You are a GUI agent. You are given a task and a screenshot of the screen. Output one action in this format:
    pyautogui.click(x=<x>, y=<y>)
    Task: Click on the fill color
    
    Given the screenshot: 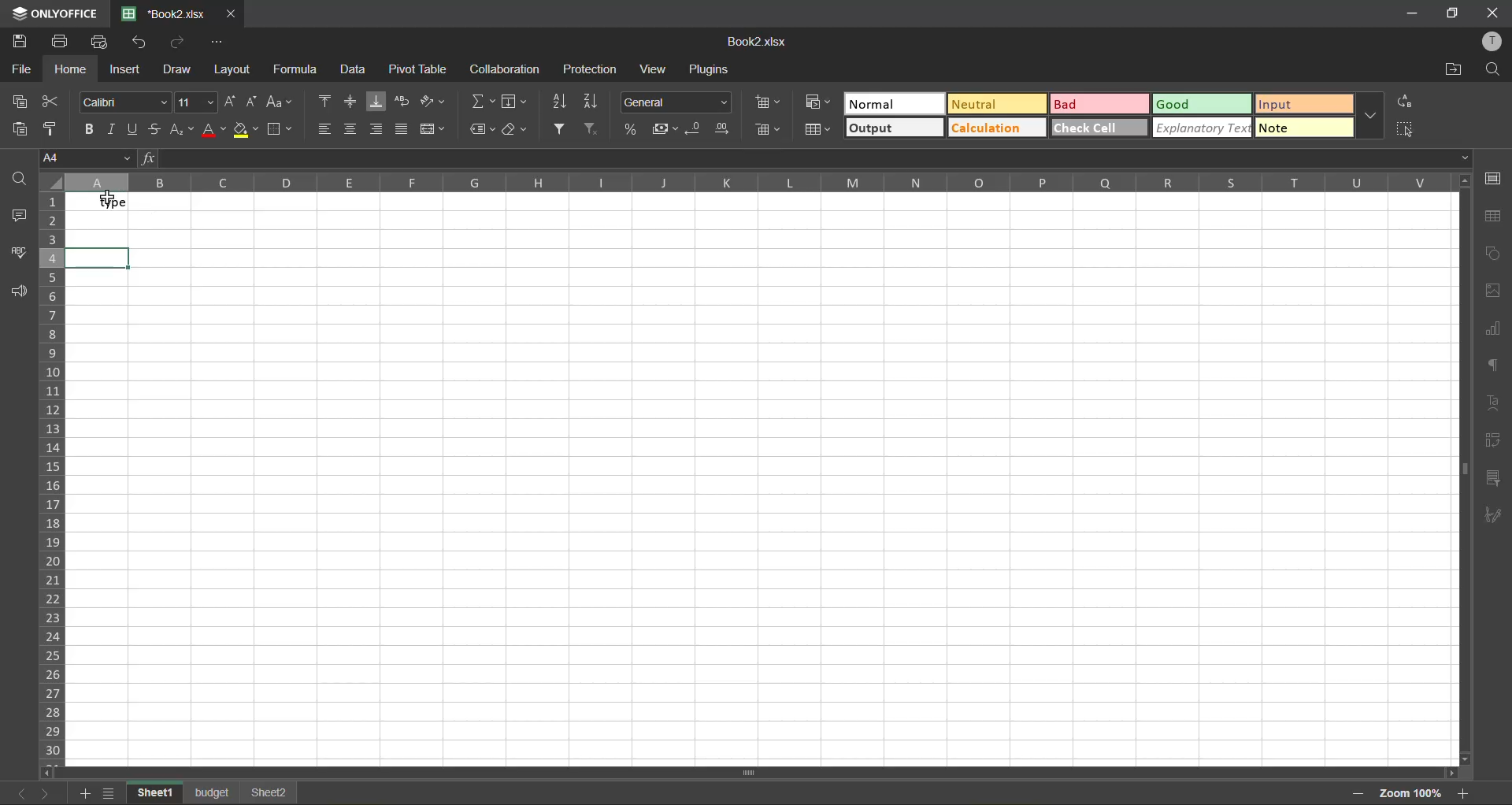 What is the action you would take?
    pyautogui.click(x=247, y=130)
    